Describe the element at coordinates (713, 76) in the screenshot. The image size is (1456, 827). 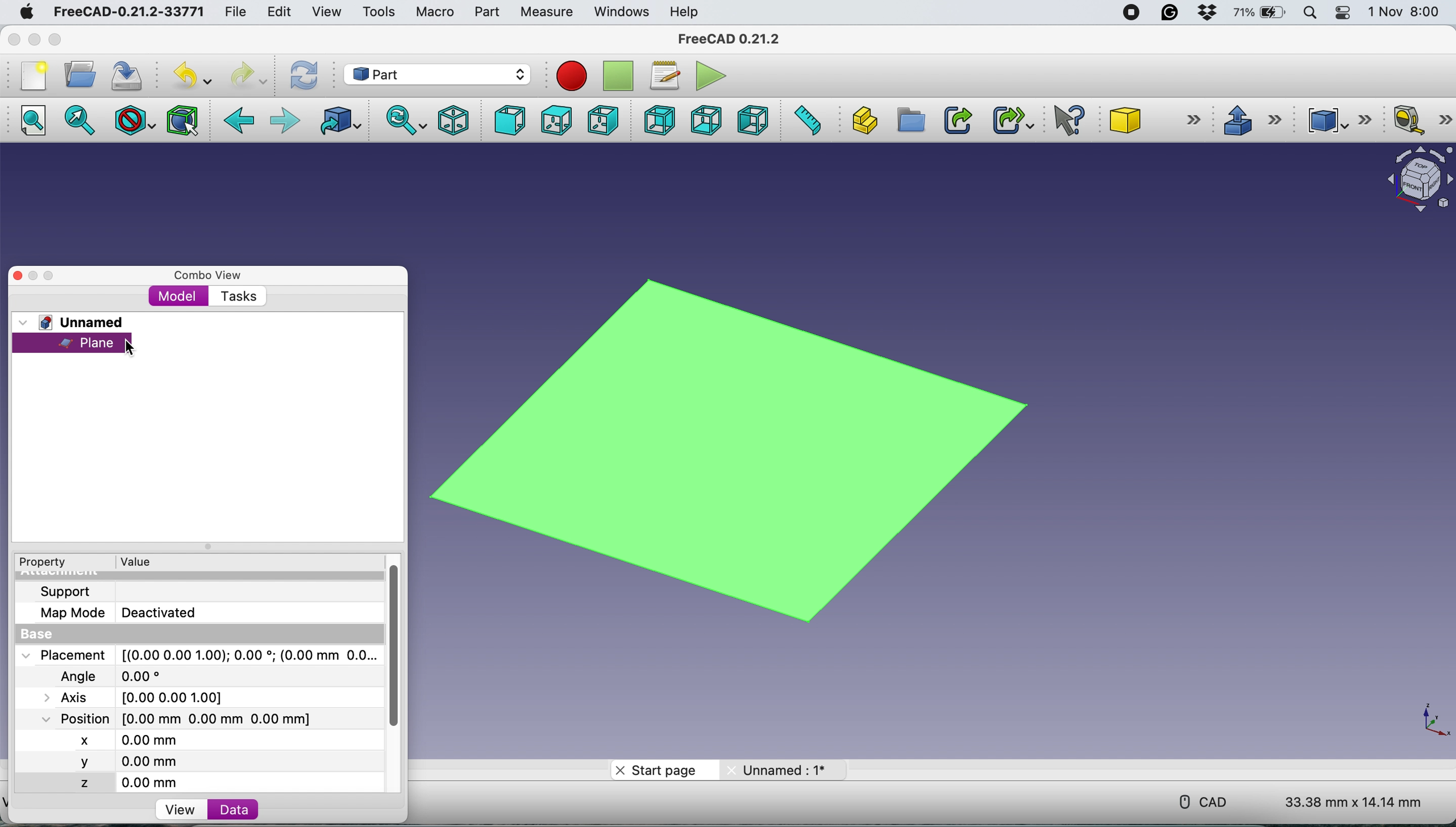
I see `execute macros` at that location.